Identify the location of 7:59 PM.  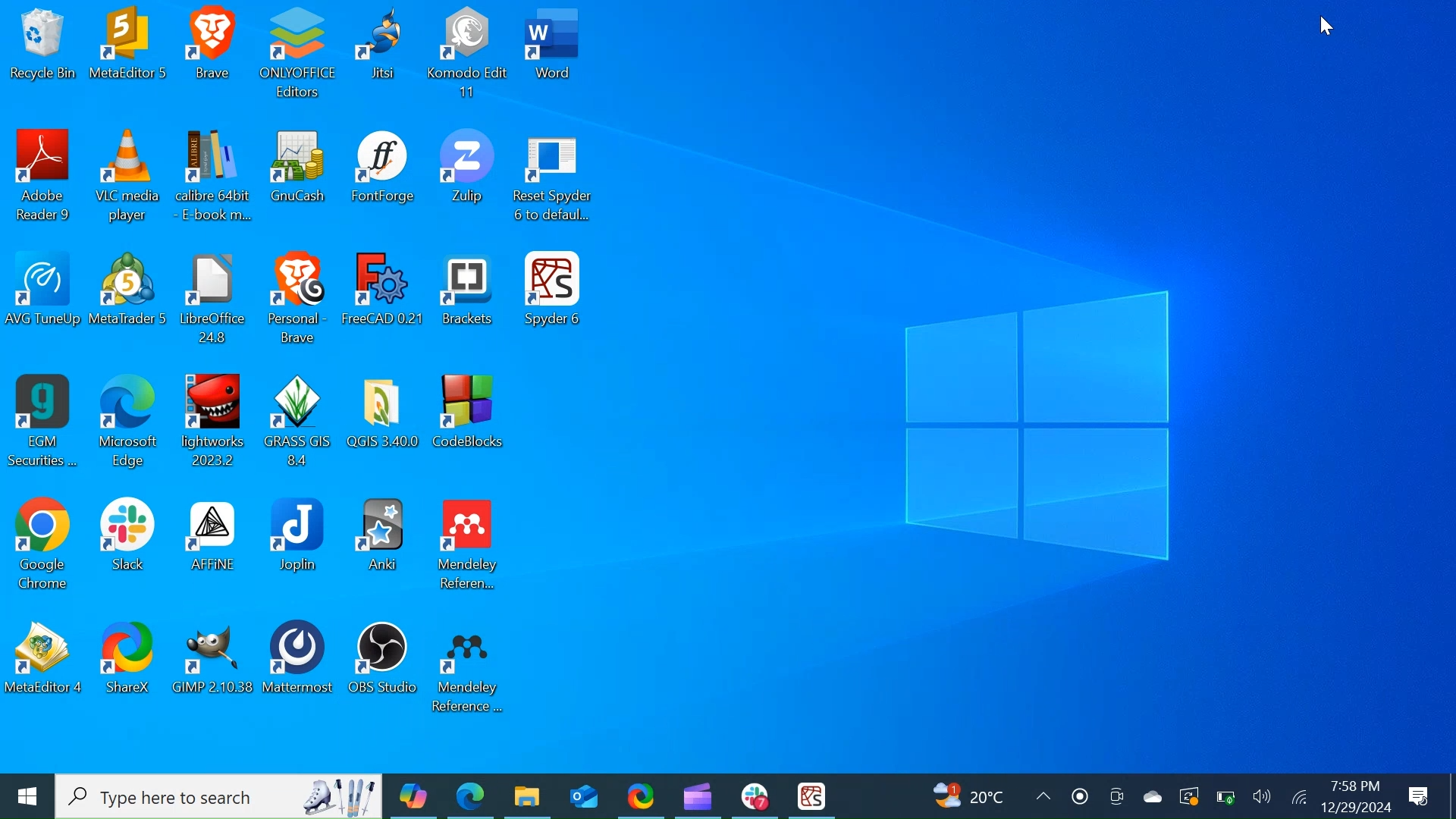
(1354, 786).